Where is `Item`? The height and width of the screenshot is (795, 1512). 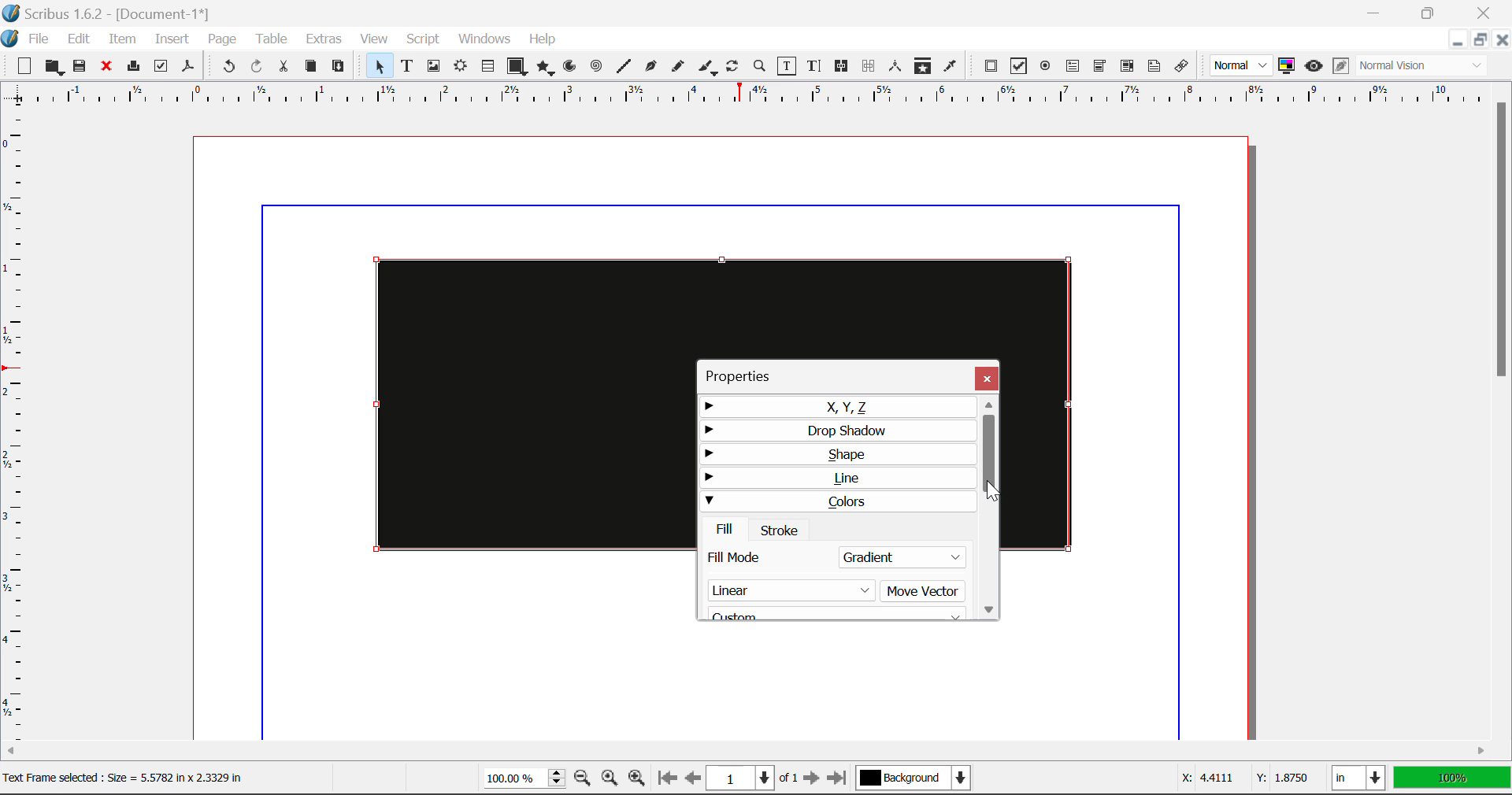
Item is located at coordinates (123, 41).